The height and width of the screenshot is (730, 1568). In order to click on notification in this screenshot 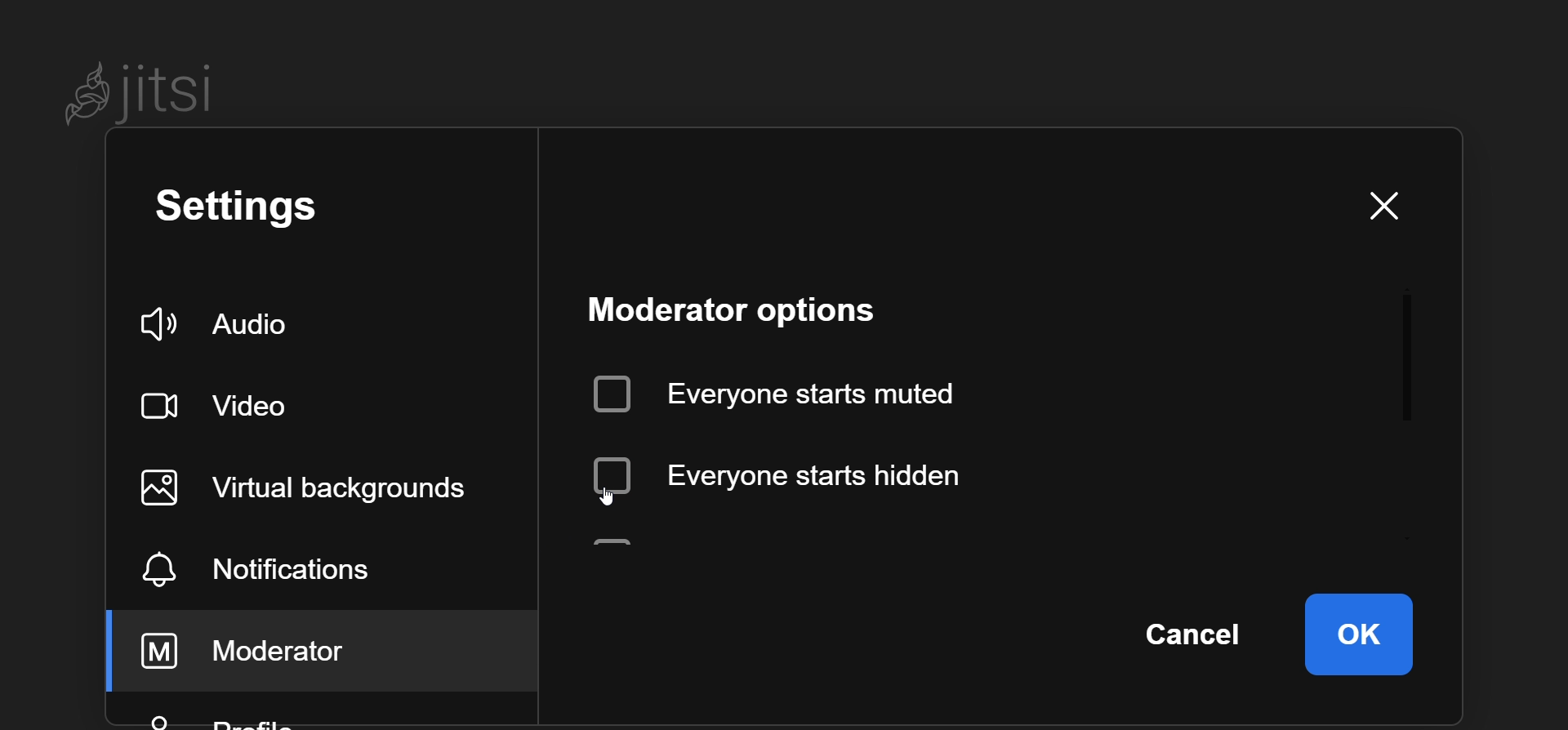, I will do `click(300, 565)`.